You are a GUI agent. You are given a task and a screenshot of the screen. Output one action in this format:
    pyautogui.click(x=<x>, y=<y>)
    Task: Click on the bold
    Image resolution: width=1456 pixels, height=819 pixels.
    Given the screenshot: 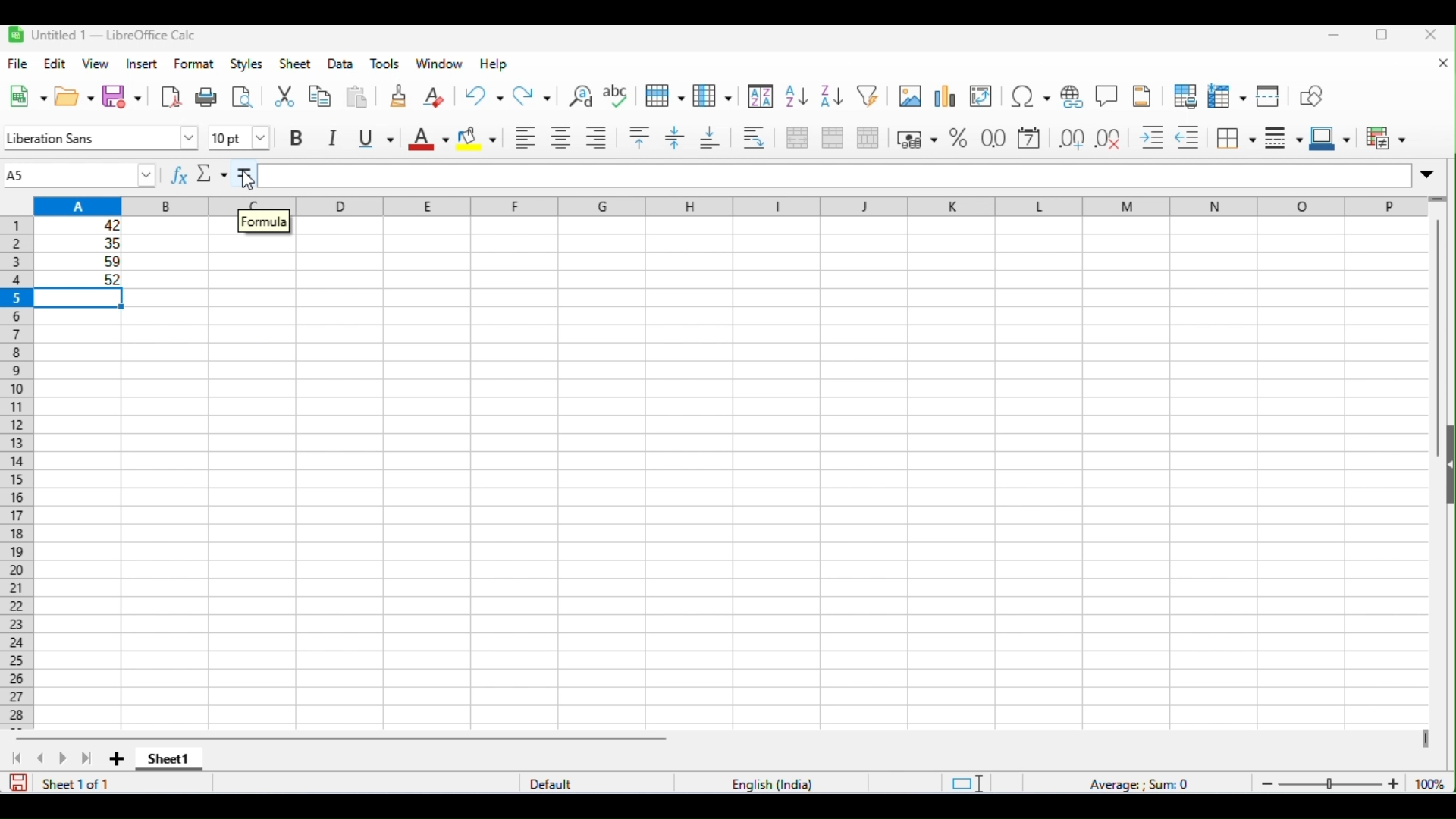 What is the action you would take?
    pyautogui.click(x=300, y=138)
    